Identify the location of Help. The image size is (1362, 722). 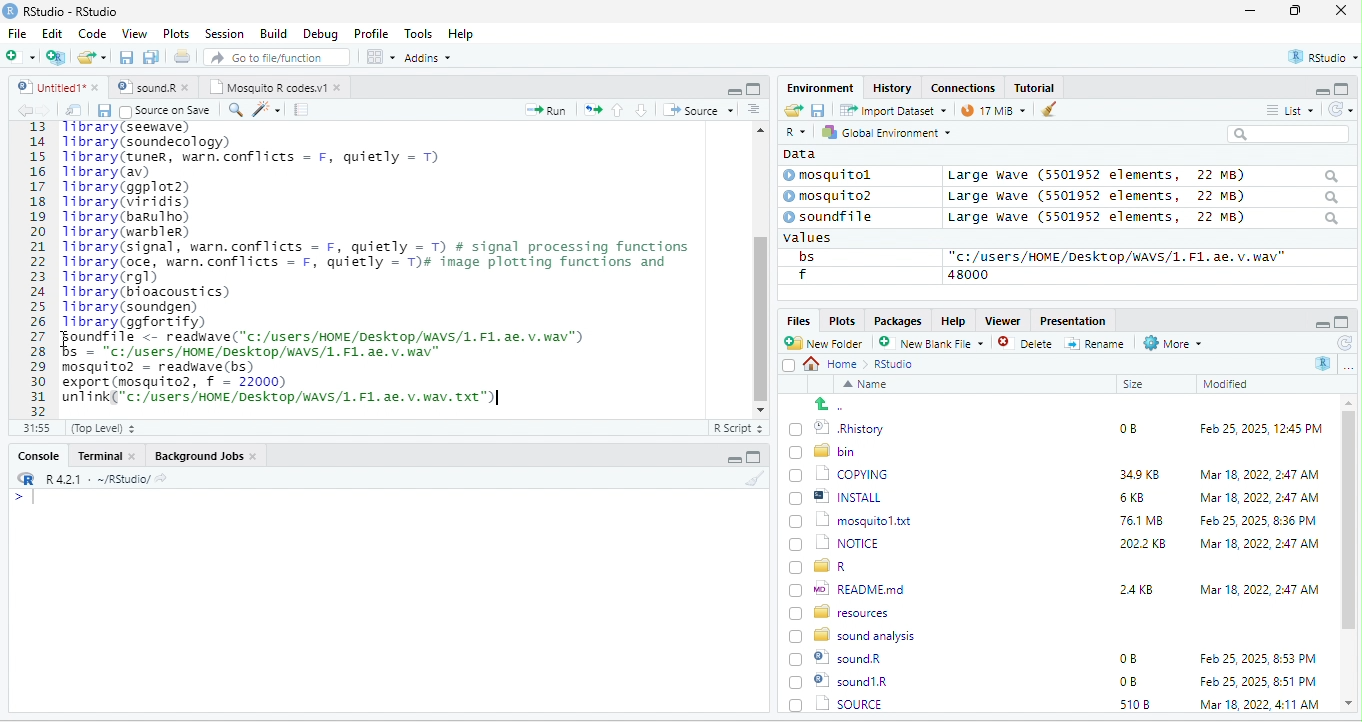
(462, 35).